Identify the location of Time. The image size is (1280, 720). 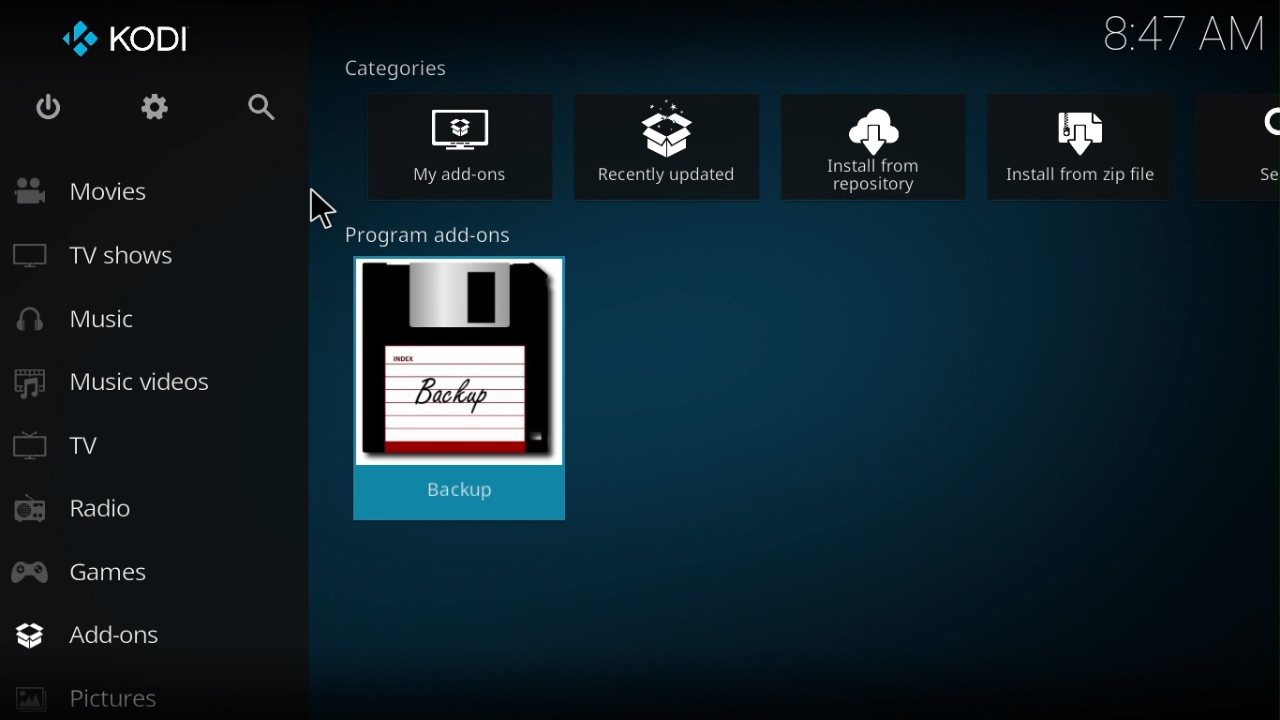
(1183, 36).